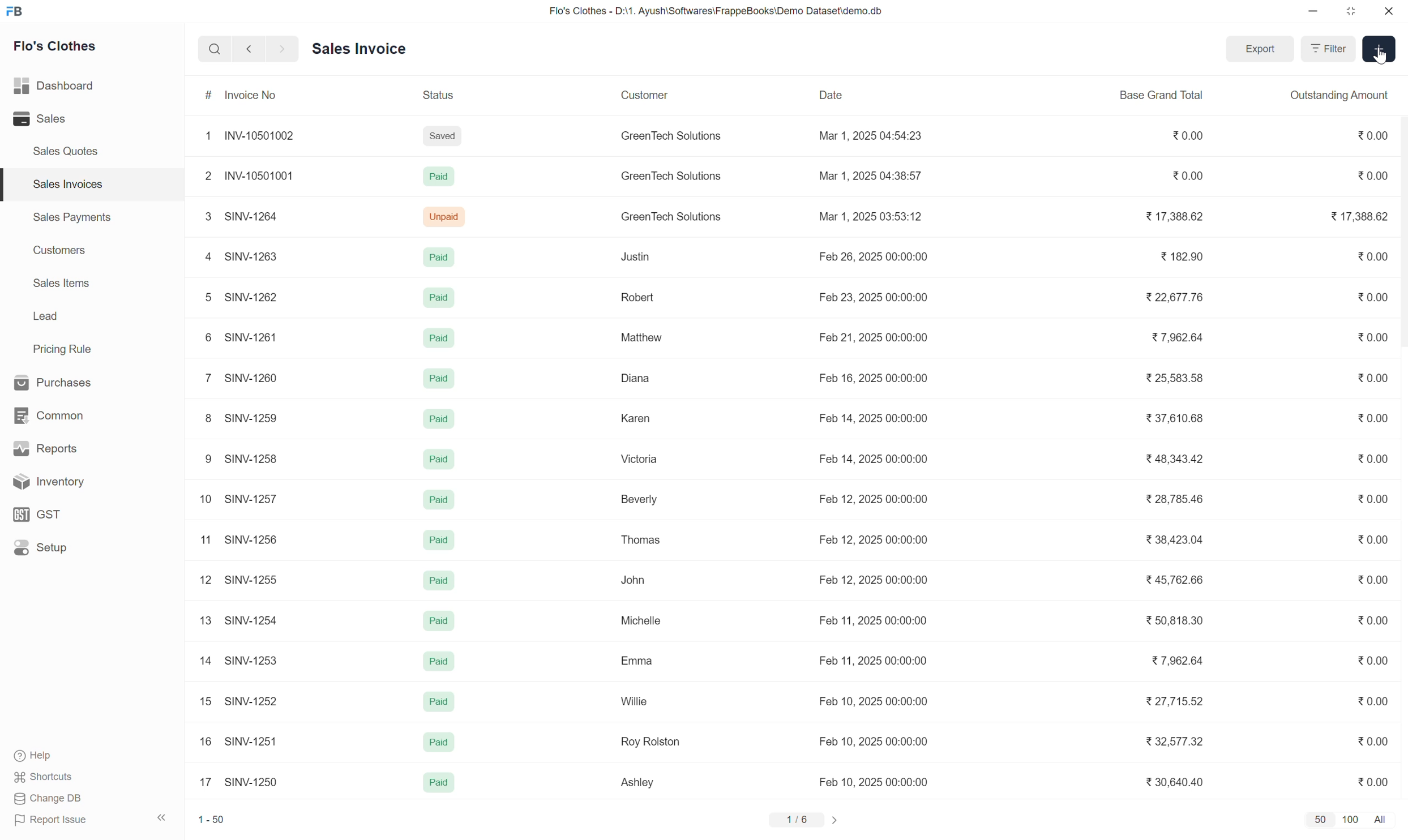 This screenshot has width=1408, height=840. What do you see at coordinates (880, 420) in the screenshot?
I see `Feb 14, 2025 00:00:00` at bounding box center [880, 420].